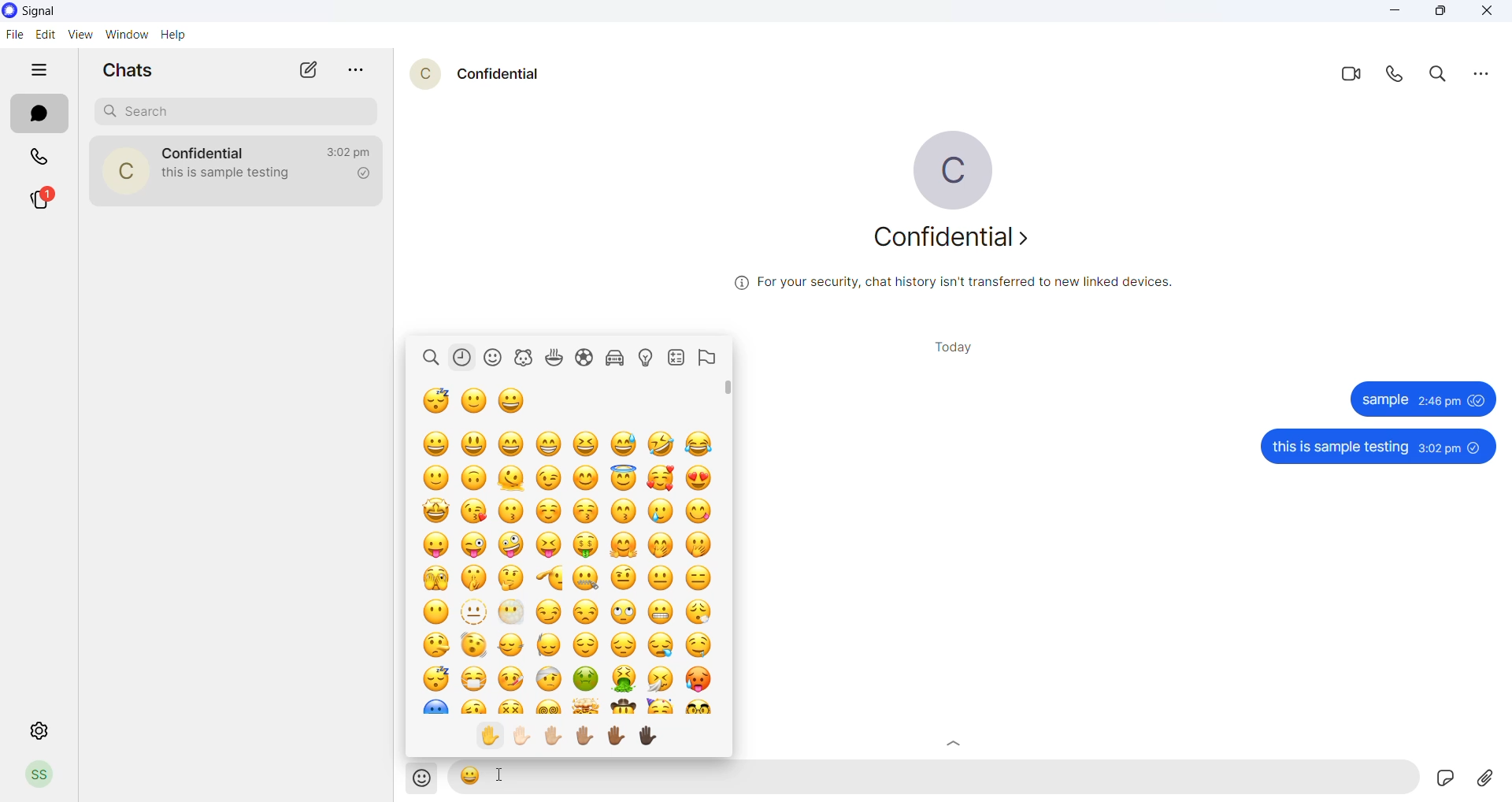  What do you see at coordinates (960, 171) in the screenshot?
I see `profile picture` at bounding box center [960, 171].